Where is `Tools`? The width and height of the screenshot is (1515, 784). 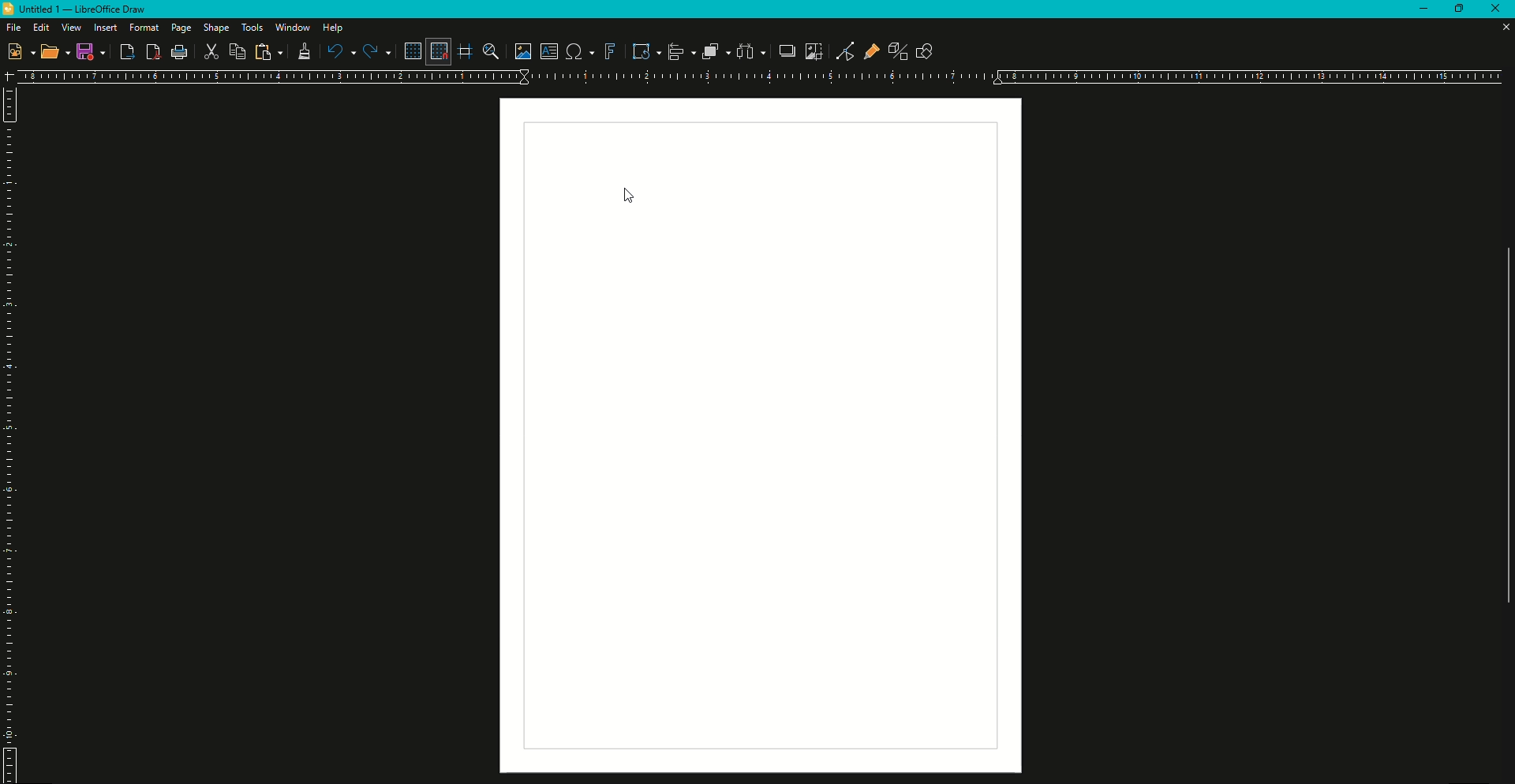 Tools is located at coordinates (253, 28).